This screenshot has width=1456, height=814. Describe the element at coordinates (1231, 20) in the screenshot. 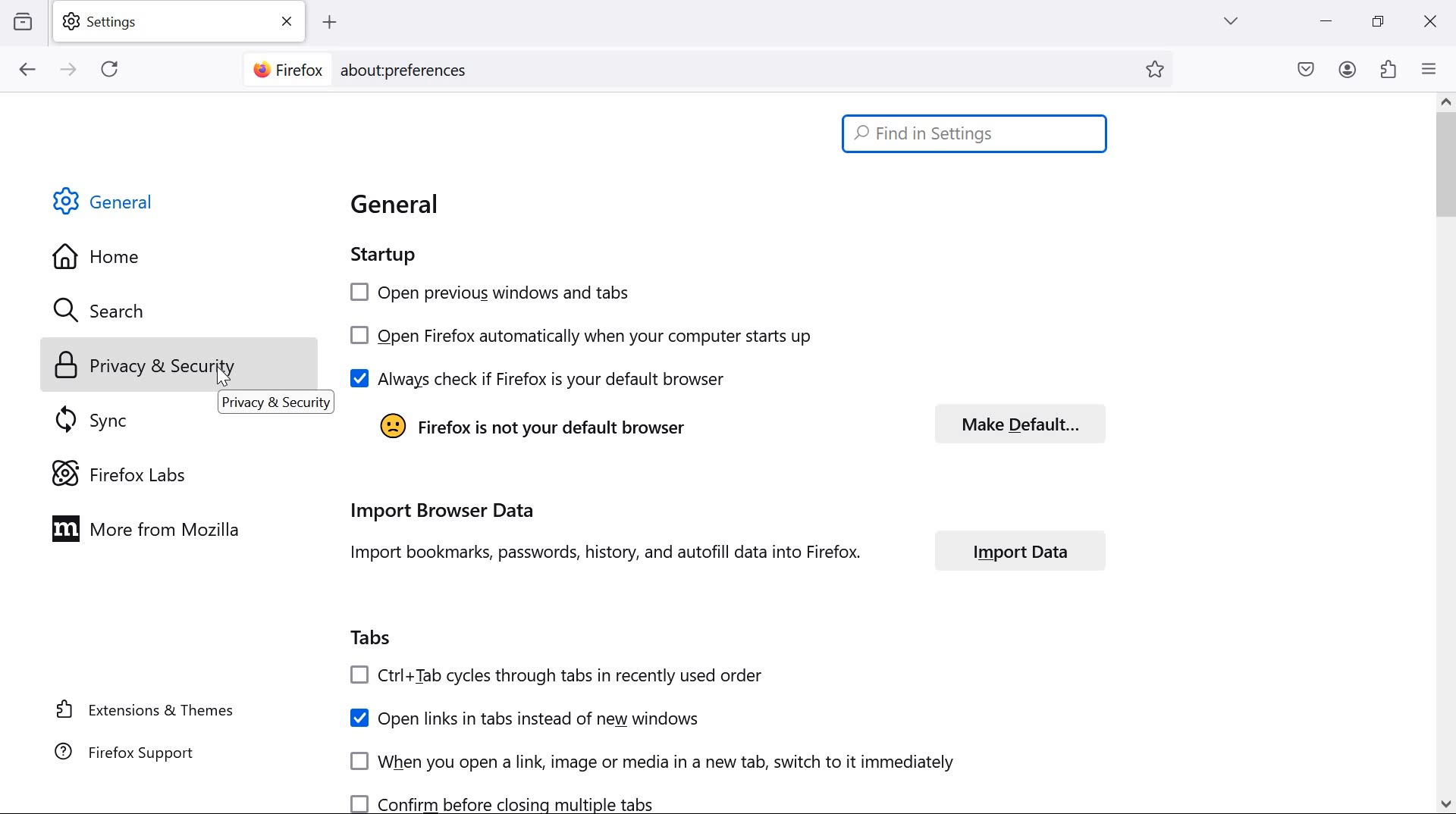

I see `list all tabs` at that location.